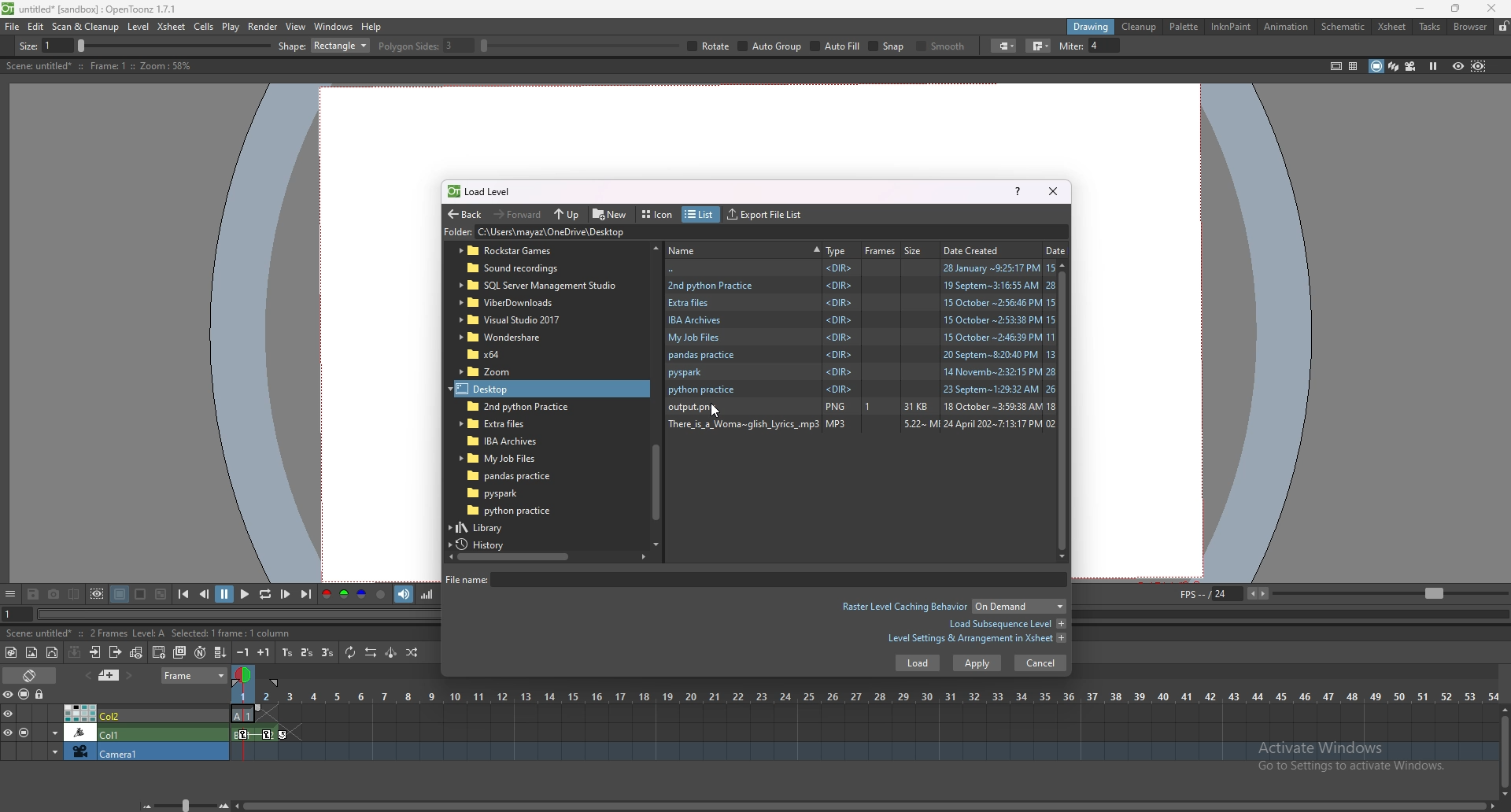 The width and height of the screenshot is (1511, 812). Describe the element at coordinates (495, 527) in the screenshot. I see `library` at that location.